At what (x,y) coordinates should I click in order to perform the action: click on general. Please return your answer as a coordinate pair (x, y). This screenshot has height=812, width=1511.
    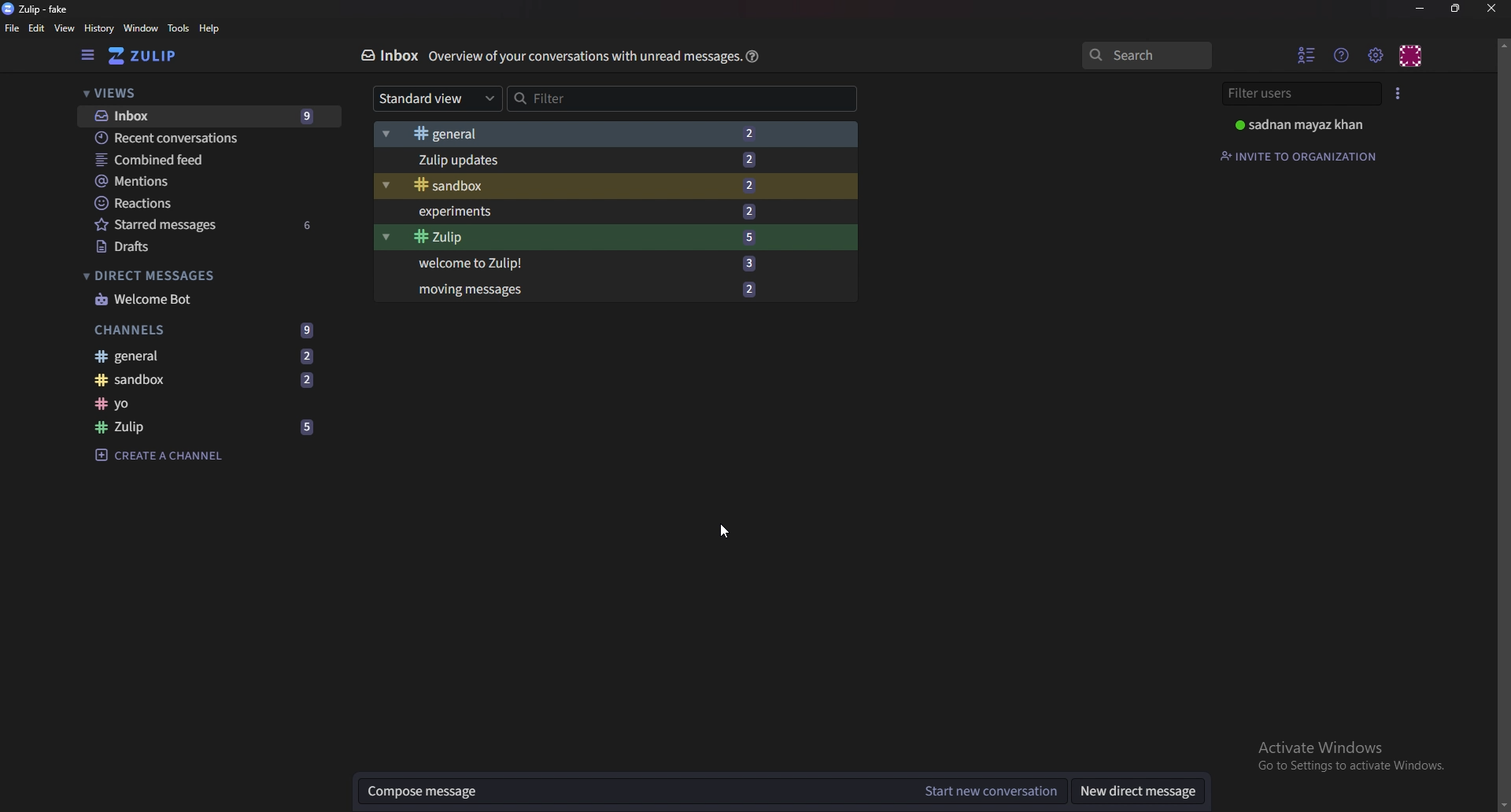
    Looking at the image, I should click on (615, 131).